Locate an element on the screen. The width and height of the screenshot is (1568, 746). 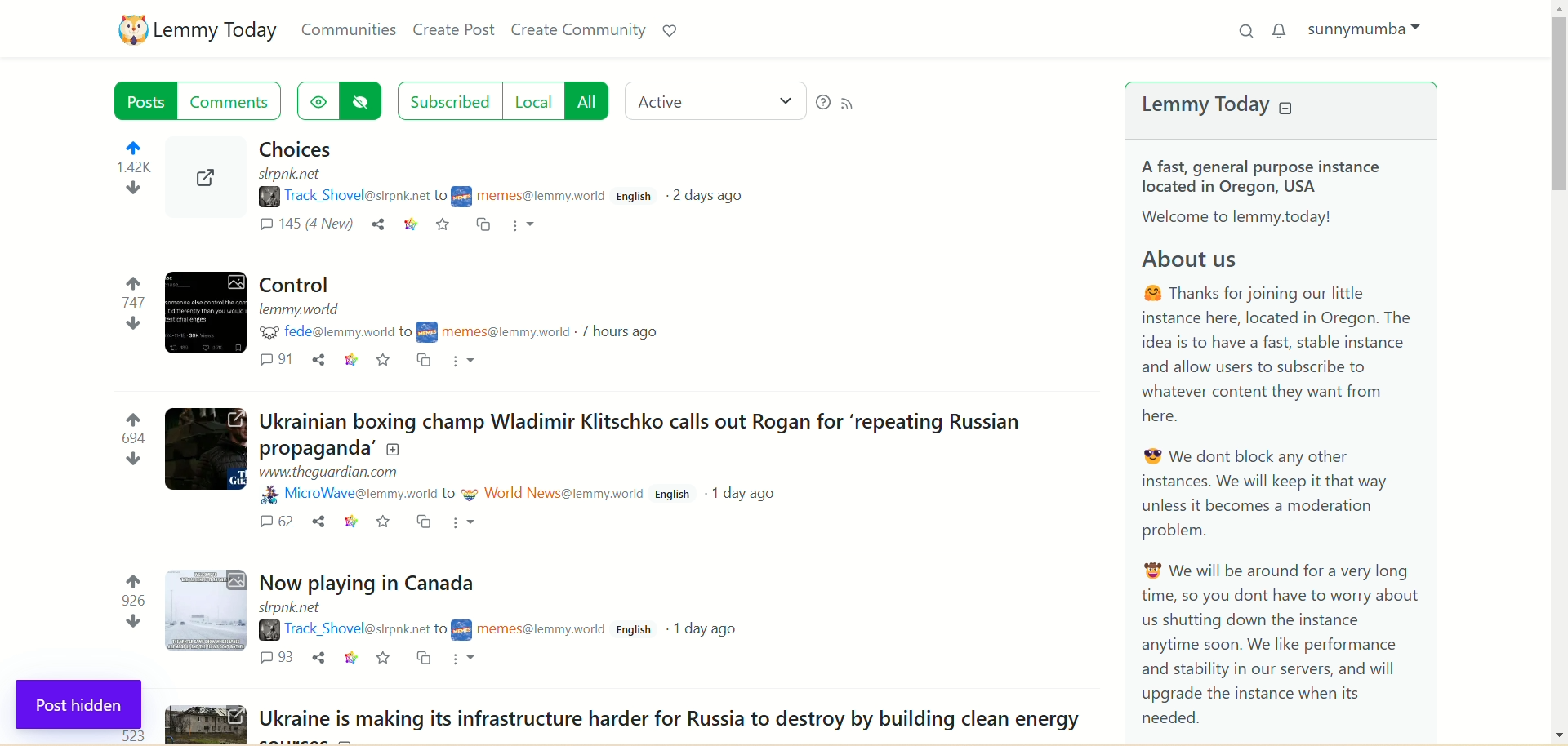
2 days ago(post date) is located at coordinates (716, 199).